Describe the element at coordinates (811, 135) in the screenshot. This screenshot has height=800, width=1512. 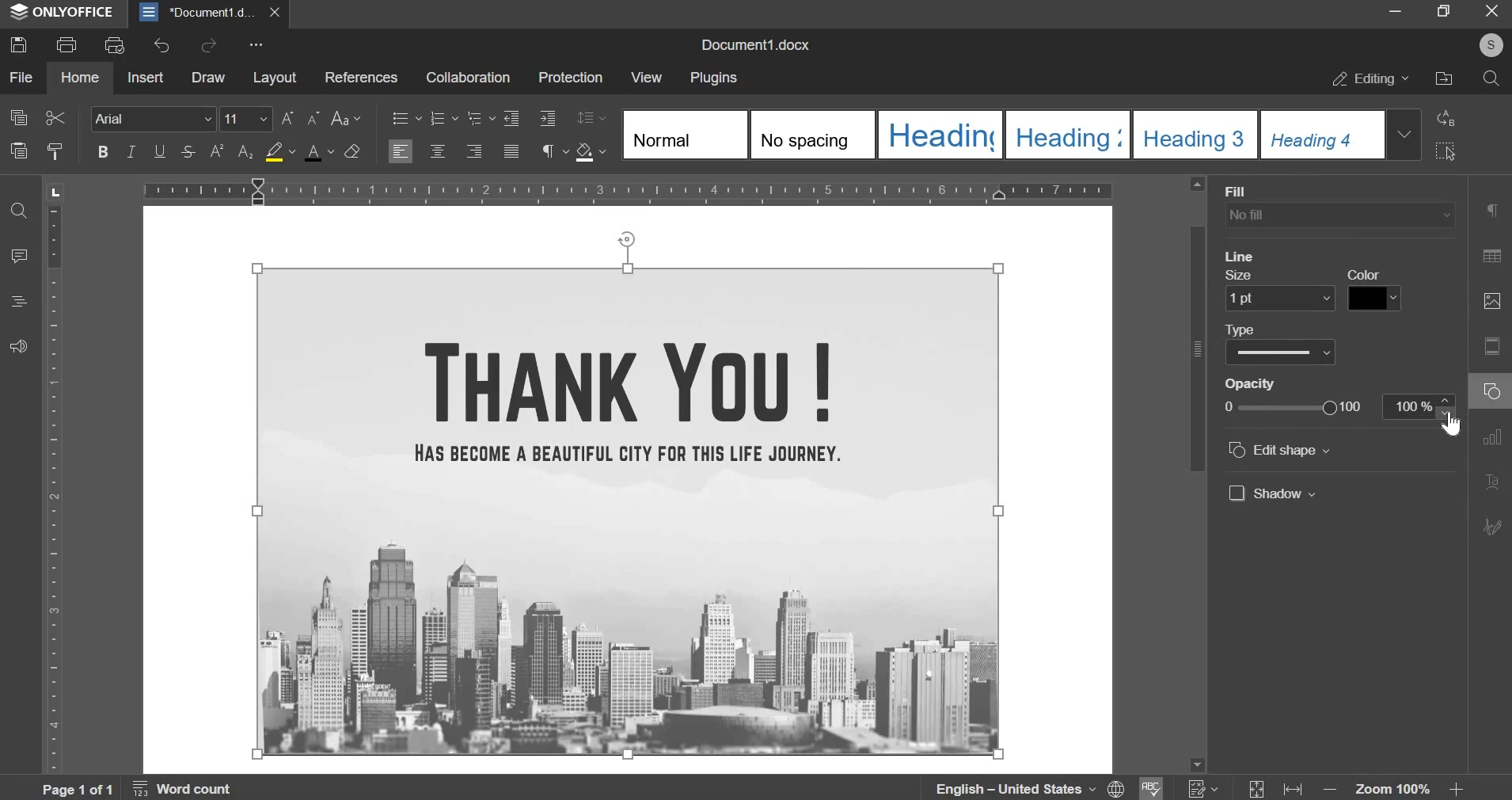
I see `No spacing` at that location.